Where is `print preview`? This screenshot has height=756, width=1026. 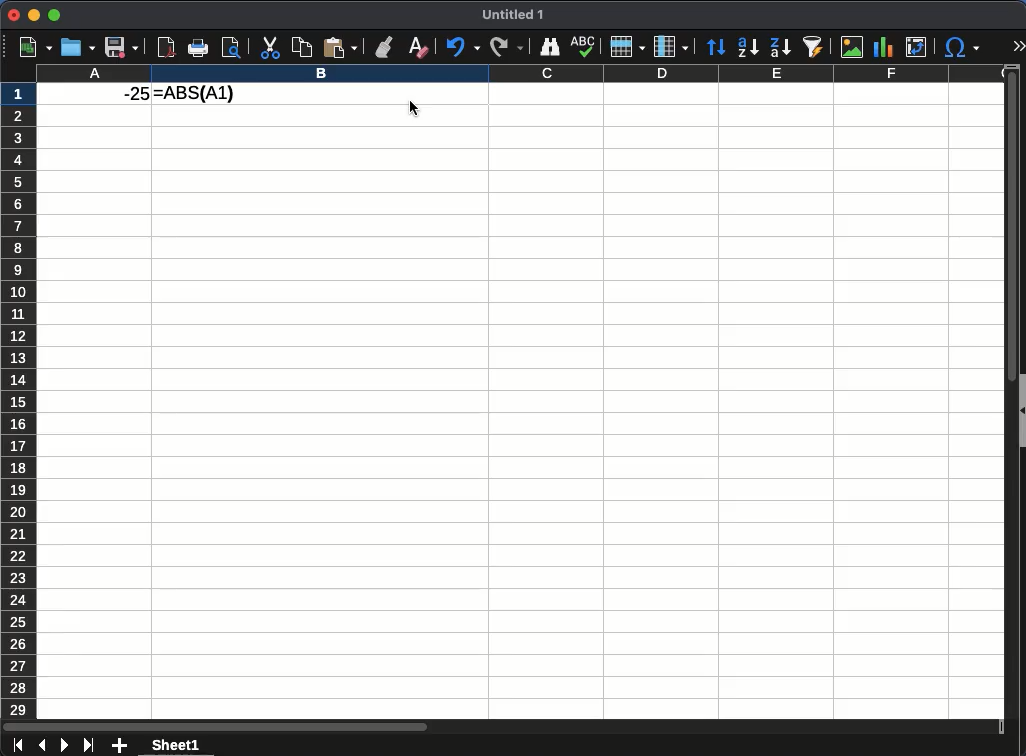 print preview is located at coordinates (231, 48).